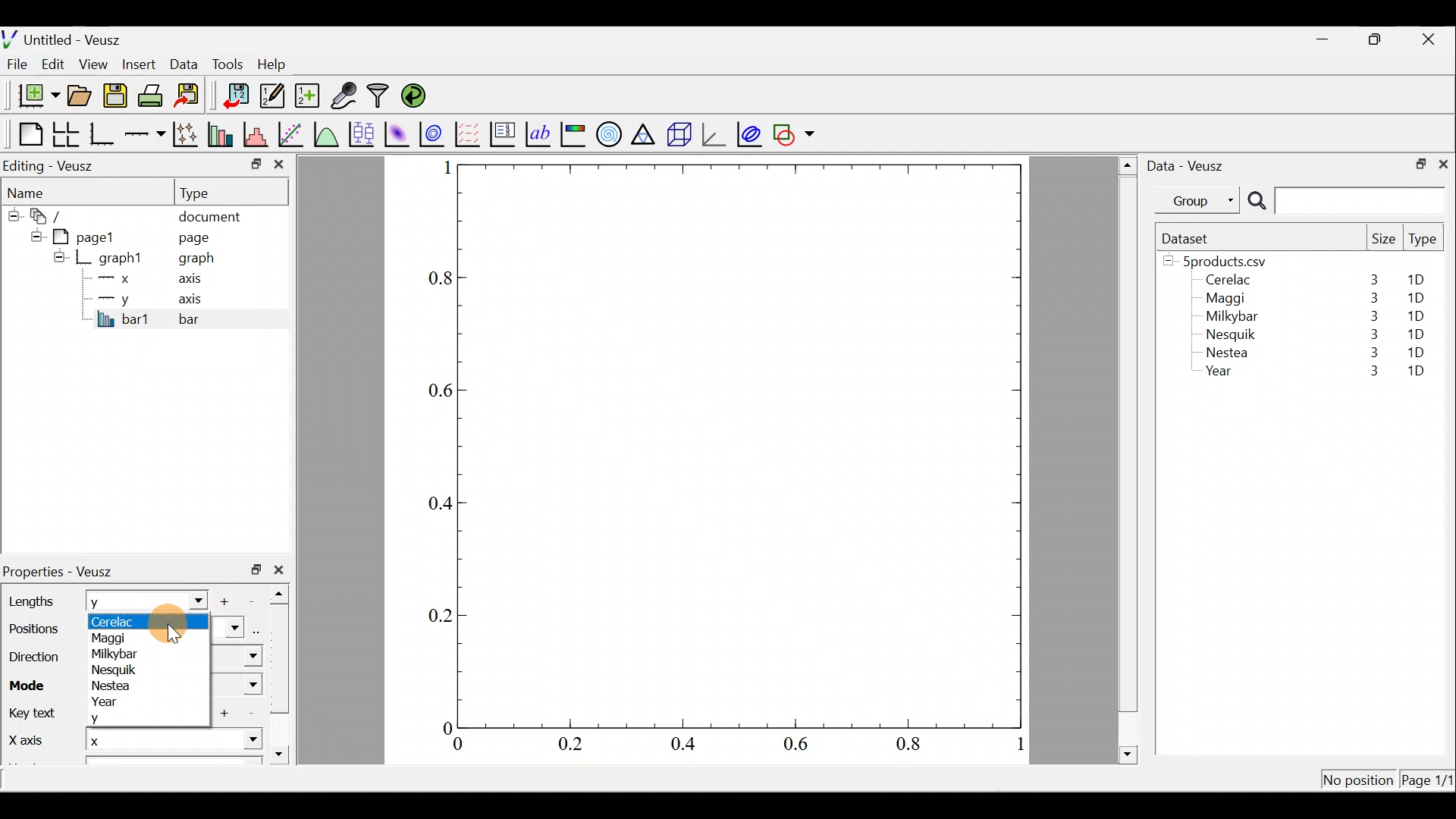  I want to click on graph1, so click(121, 259).